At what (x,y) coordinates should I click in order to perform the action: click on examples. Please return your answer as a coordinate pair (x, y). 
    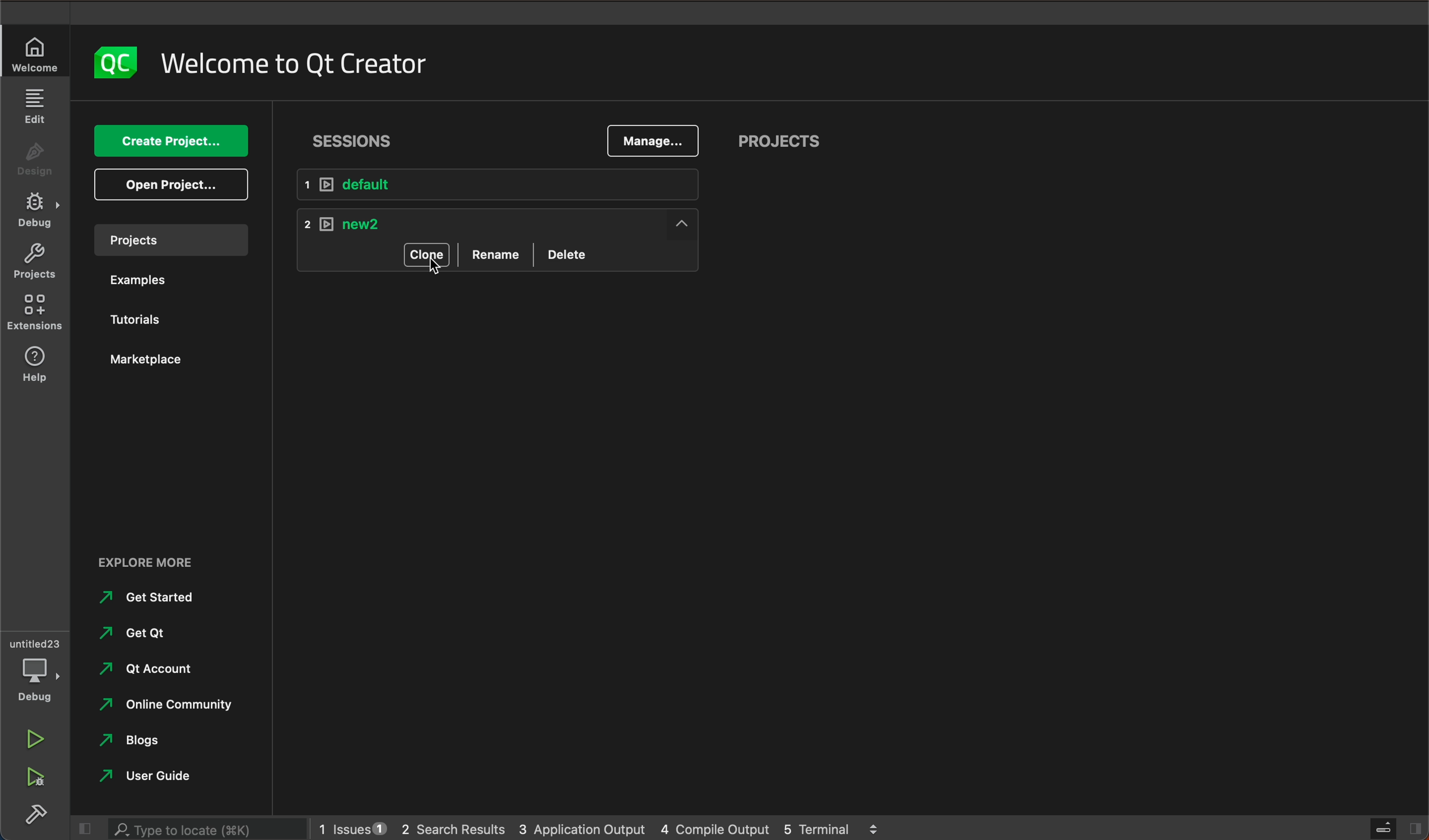
    Looking at the image, I should click on (130, 281).